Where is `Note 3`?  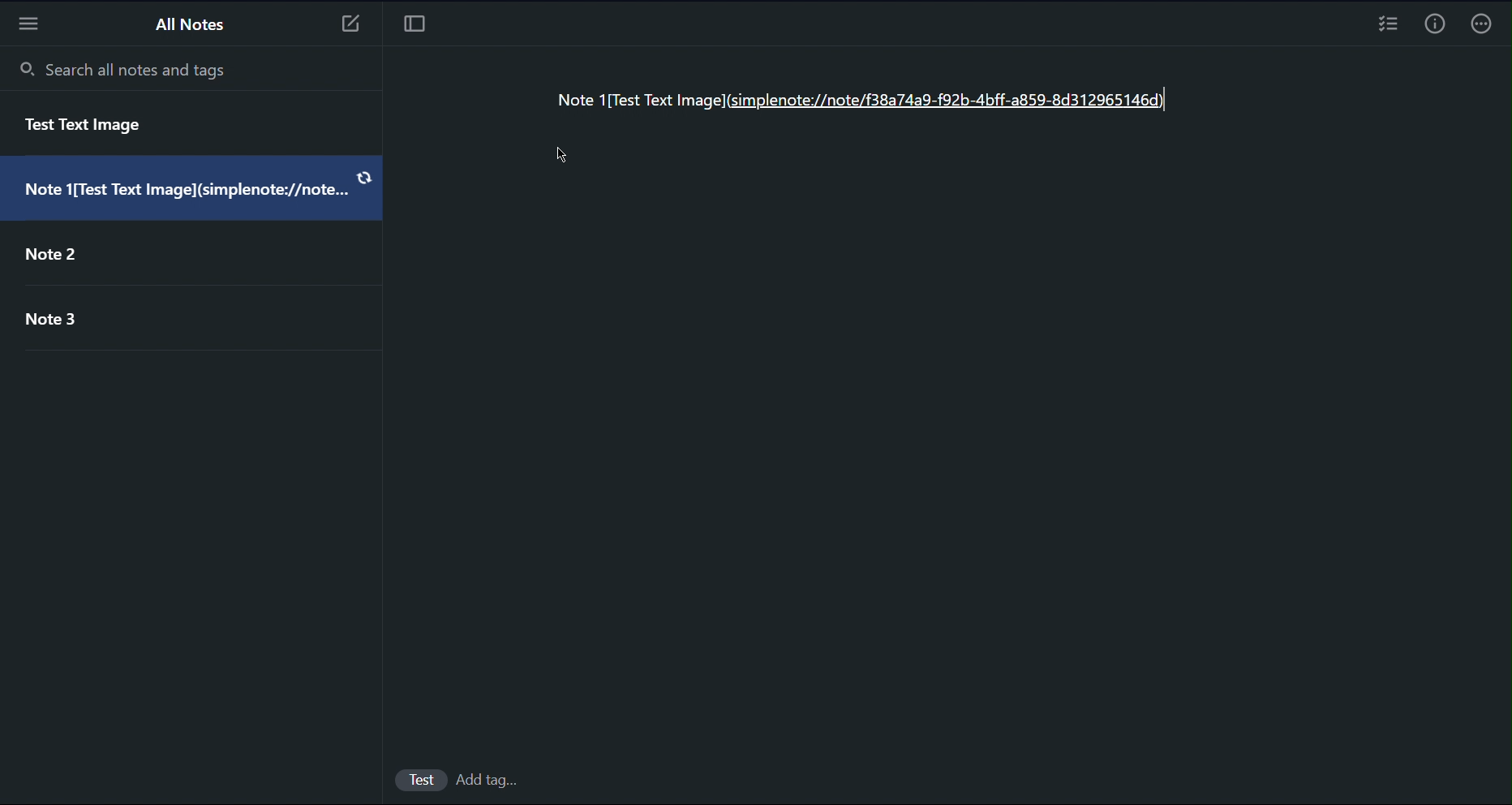 Note 3 is located at coordinates (62, 325).